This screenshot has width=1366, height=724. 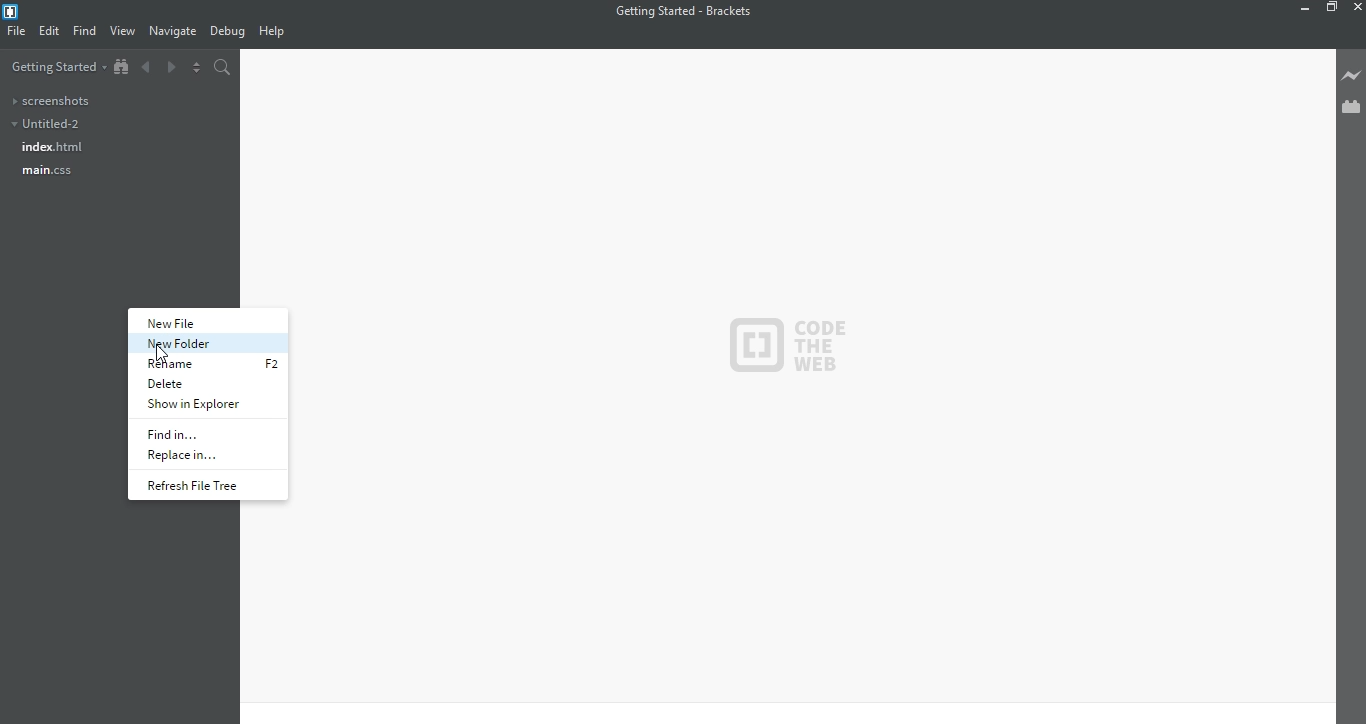 What do you see at coordinates (86, 30) in the screenshot?
I see `find` at bounding box center [86, 30].